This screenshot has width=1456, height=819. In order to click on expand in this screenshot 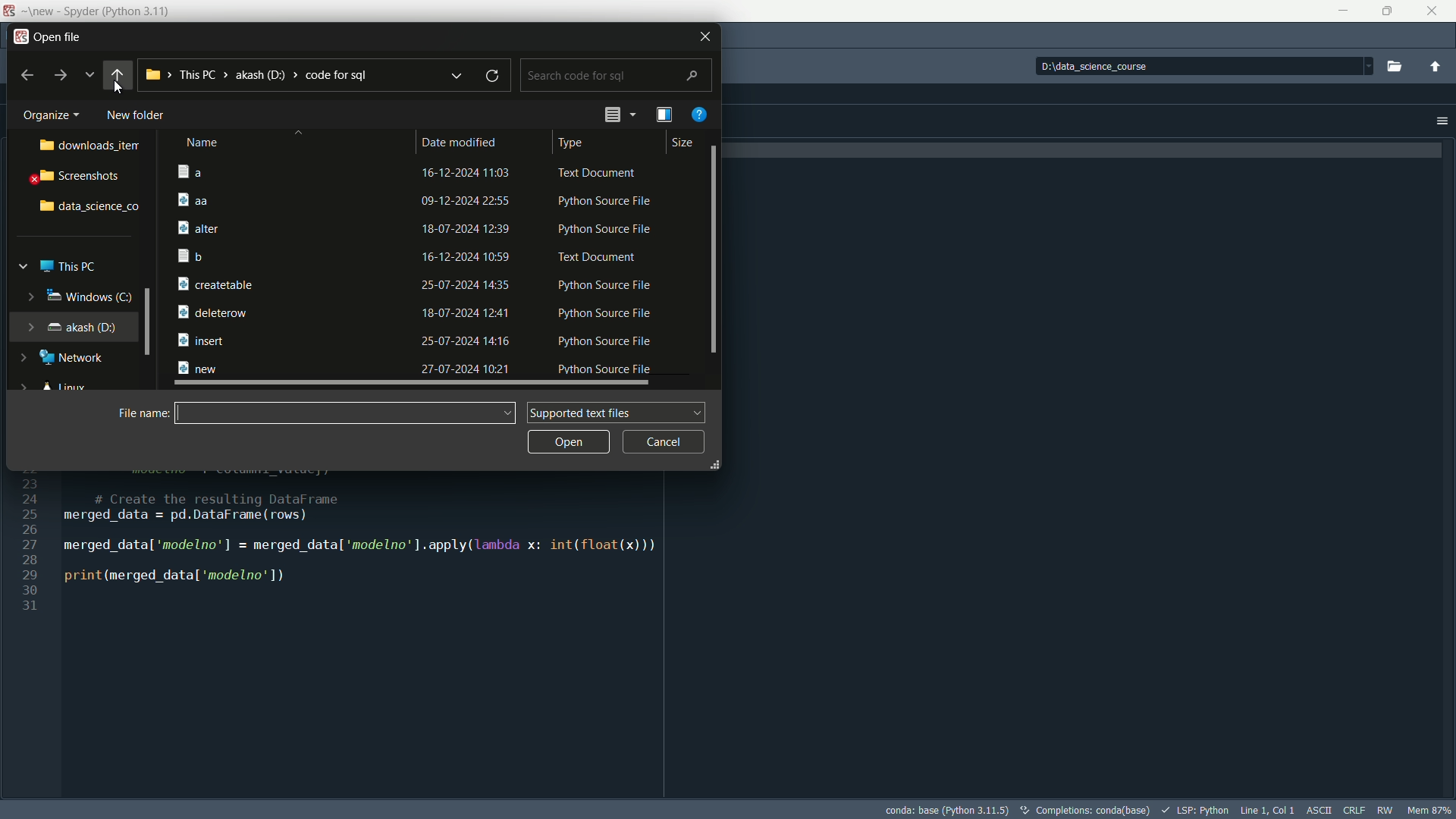, I will do `click(21, 266)`.